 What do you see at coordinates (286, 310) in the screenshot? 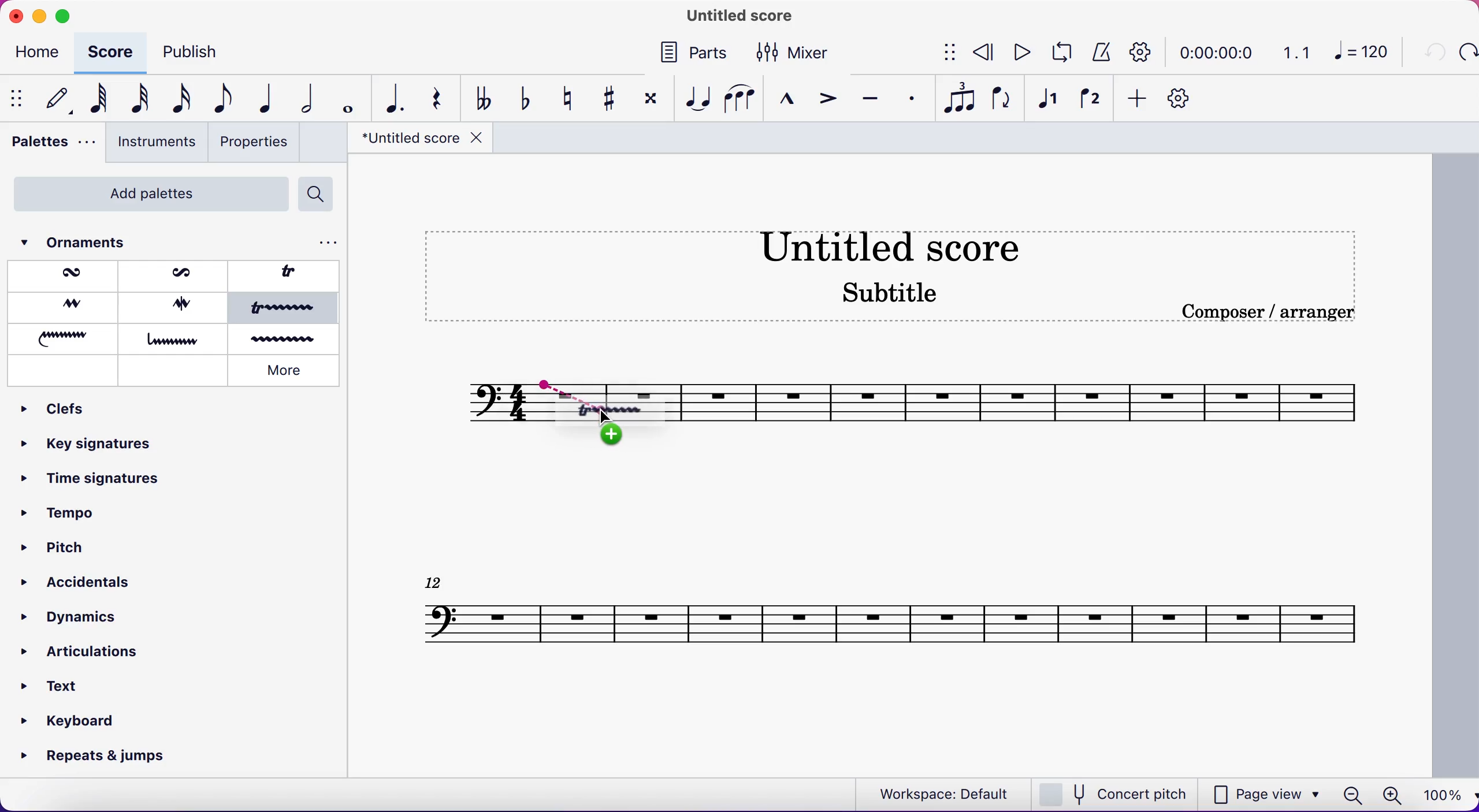
I see `extended trill` at bounding box center [286, 310].